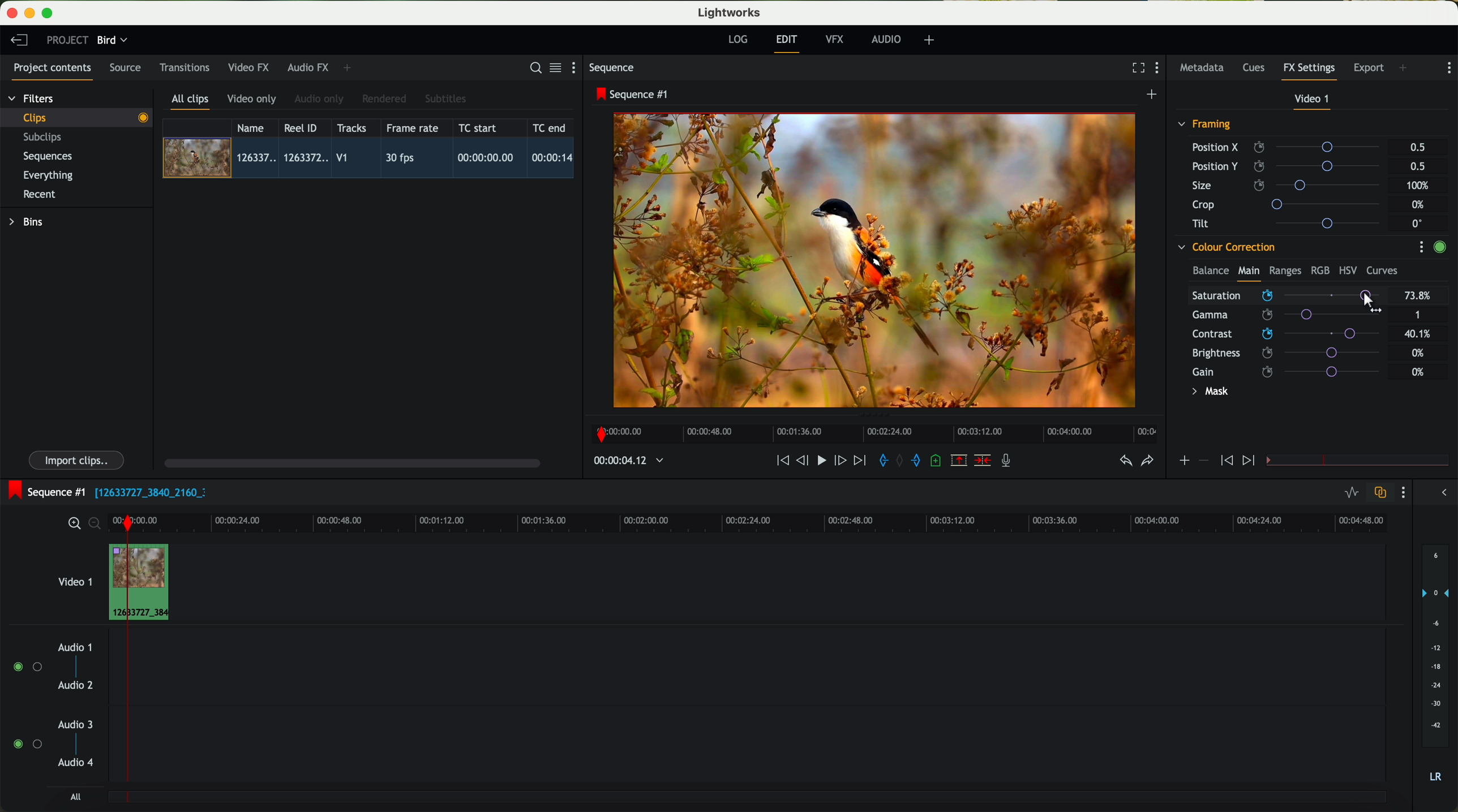 This screenshot has width=1458, height=812. What do you see at coordinates (1010, 462) in the screenshot?
I see `record a voice-over` at bounding box center [1010, 462].